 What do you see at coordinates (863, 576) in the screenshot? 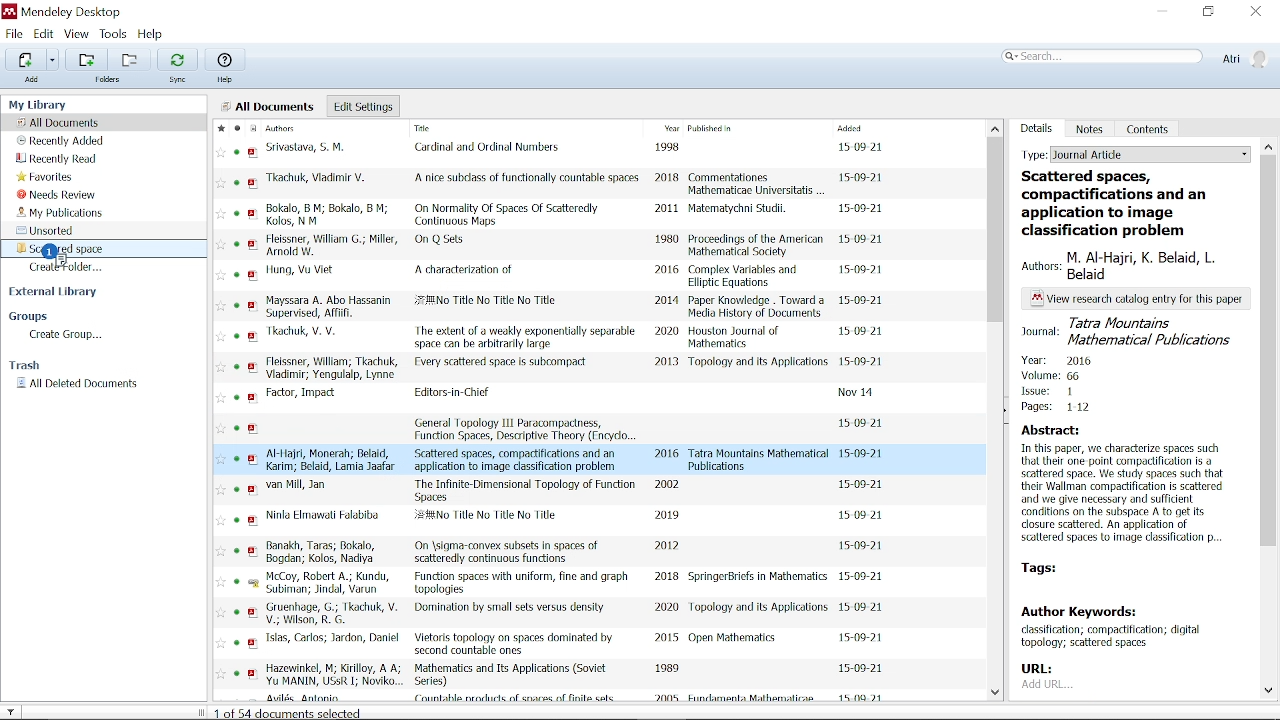
I see `date` at bounding box center [863, 576].